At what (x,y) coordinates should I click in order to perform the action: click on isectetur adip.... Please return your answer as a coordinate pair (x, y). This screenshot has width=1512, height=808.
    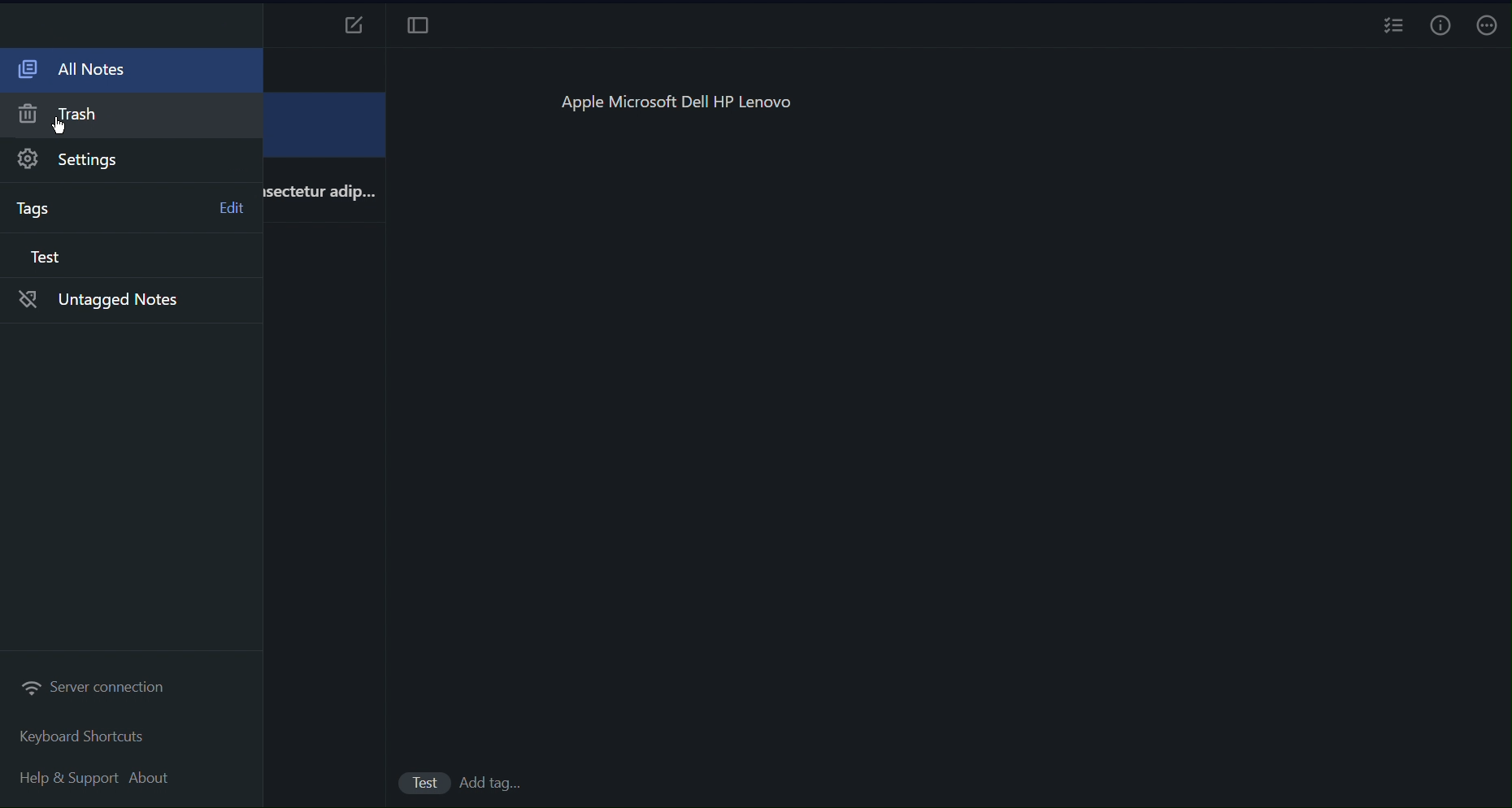
    Looking at the image, I should click on (318, 193).